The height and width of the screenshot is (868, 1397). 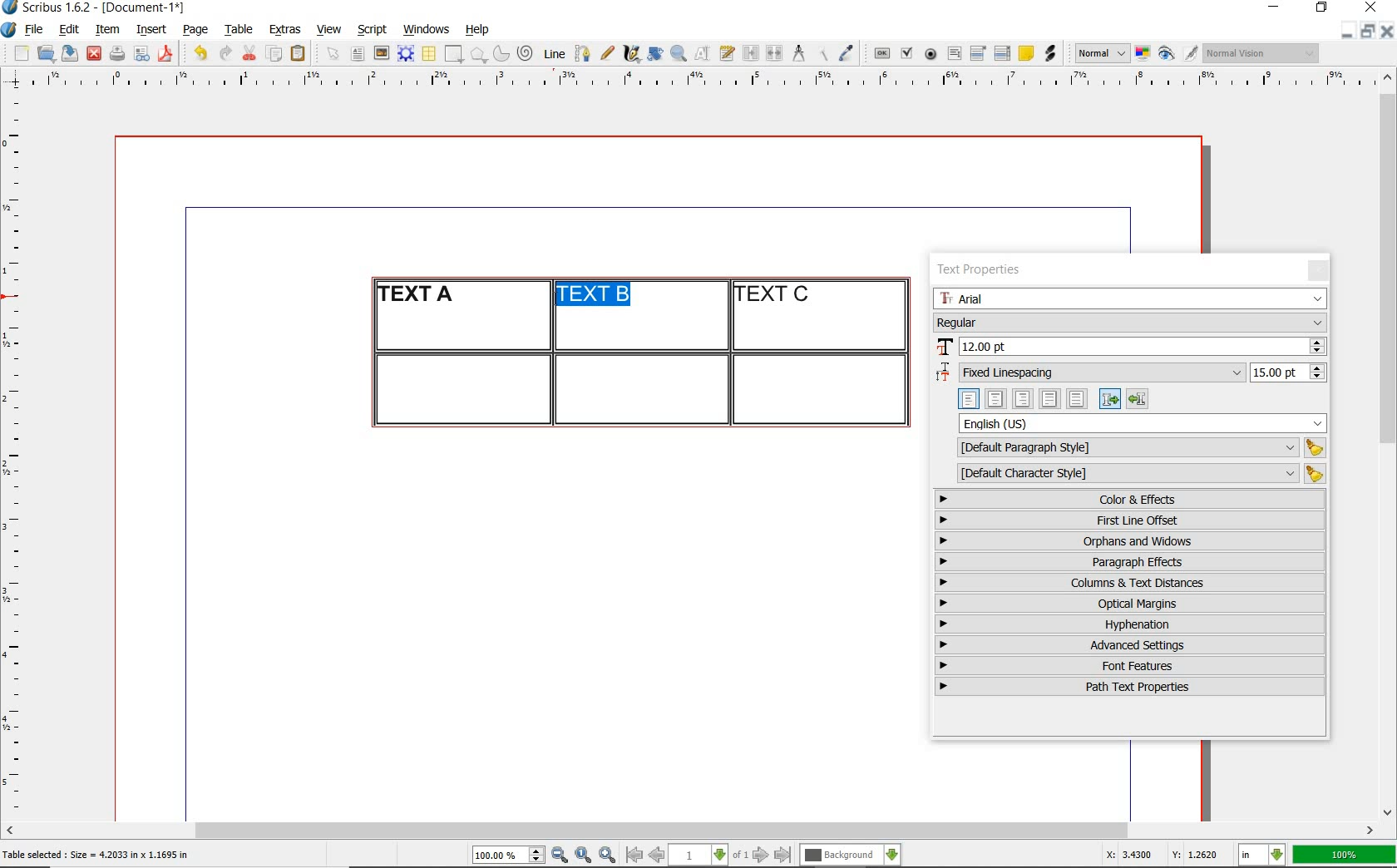 What do you see at coordinates (1178, 54) in the screenshot?
I see `preview mode` at bounding box center [1178, 54].